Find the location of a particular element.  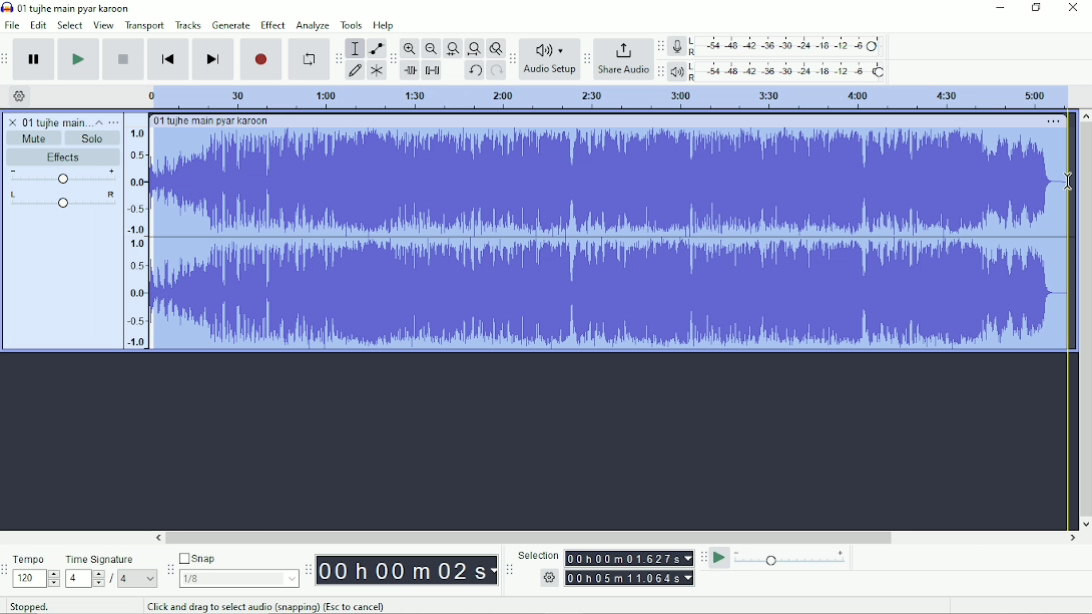

Select is located at coordinates (71, 25).